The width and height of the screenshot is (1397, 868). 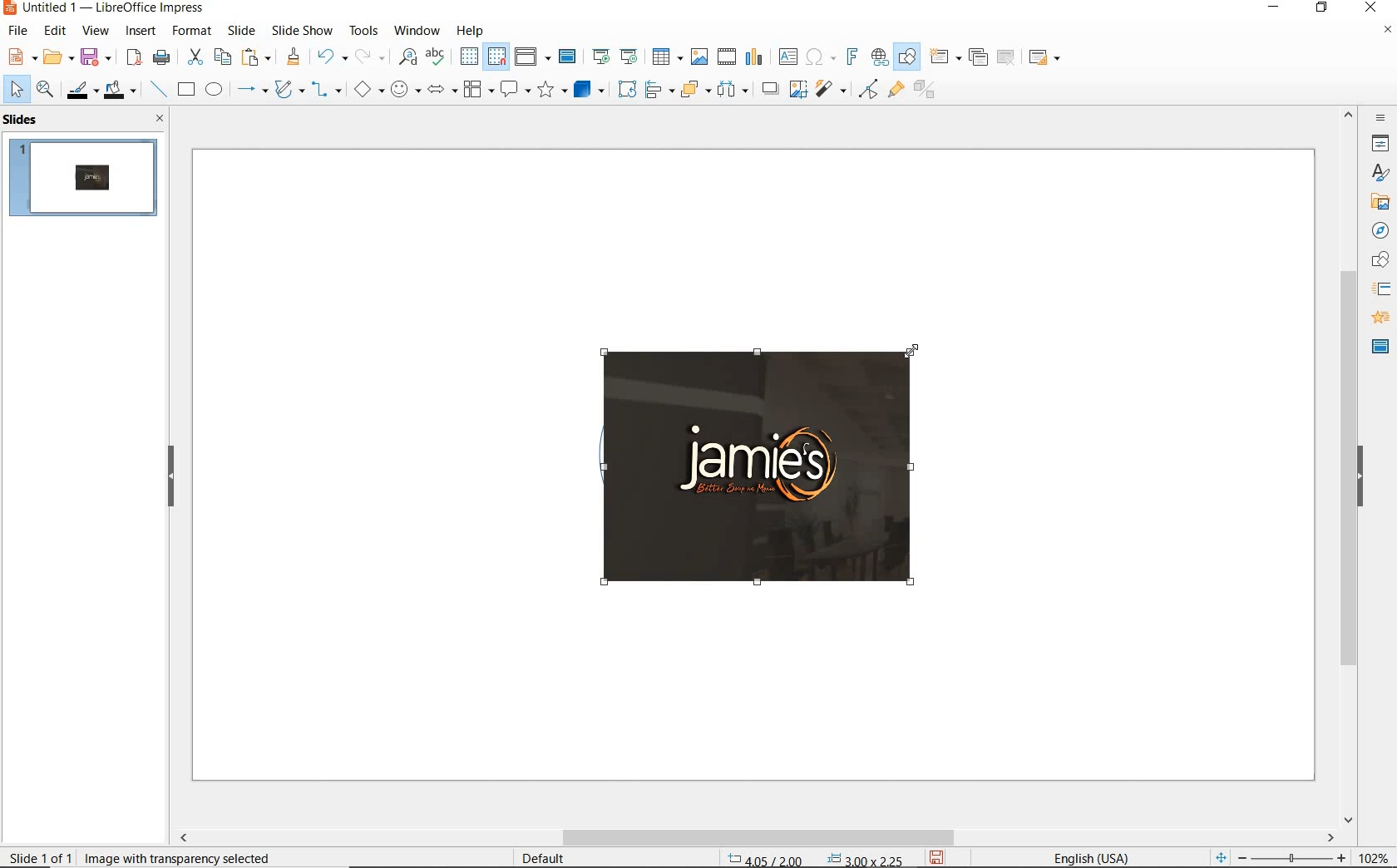 What do you see at coordinates (417, 29) in the screenshot?
I see `window` at bounding box center [417, 29].